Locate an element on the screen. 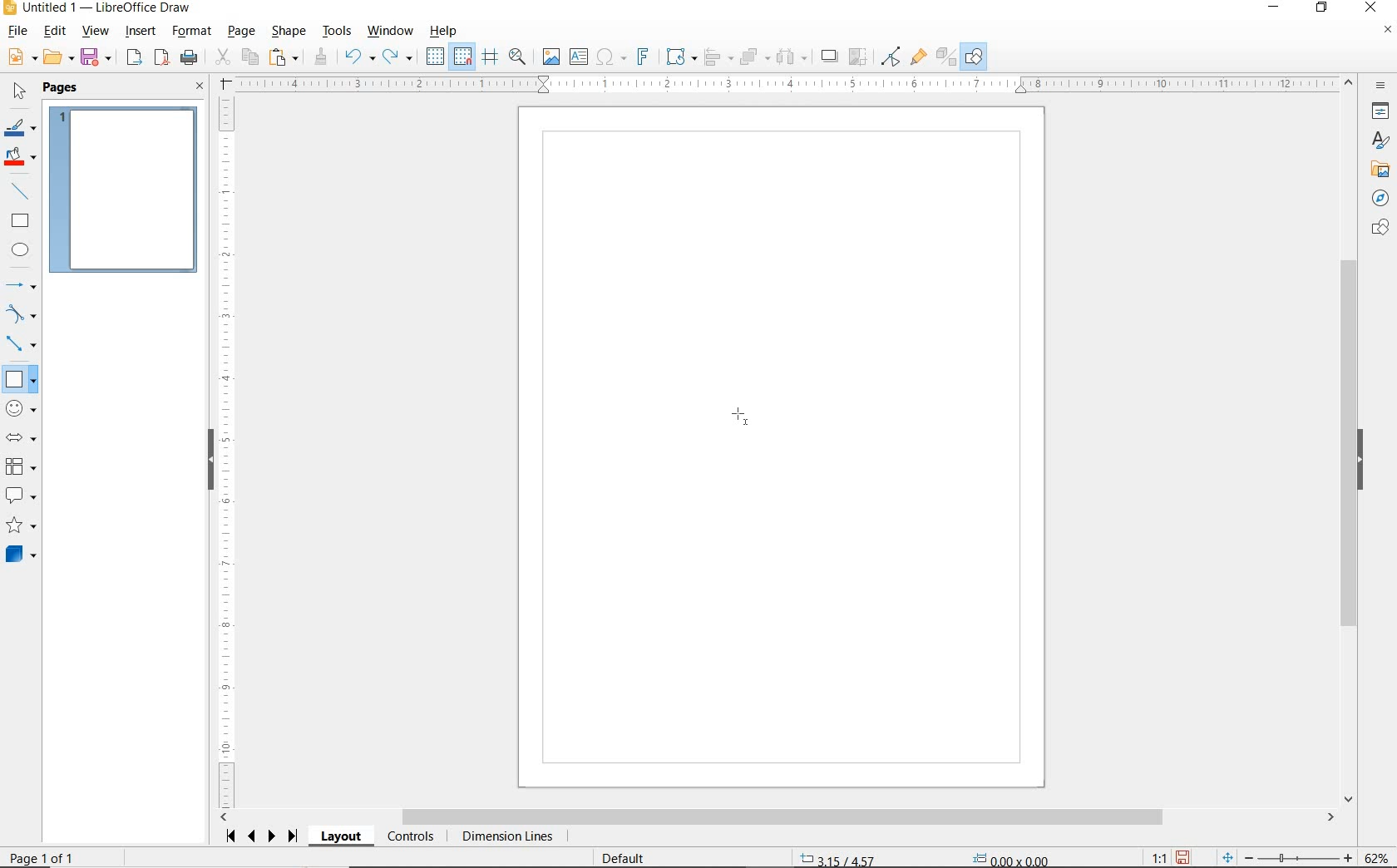 The width and height of the screenshot is (1397, 868). SELECT AT LEAST THREE OBJECTS TO DISTRIBUTE is located at coordinates (792, 57).